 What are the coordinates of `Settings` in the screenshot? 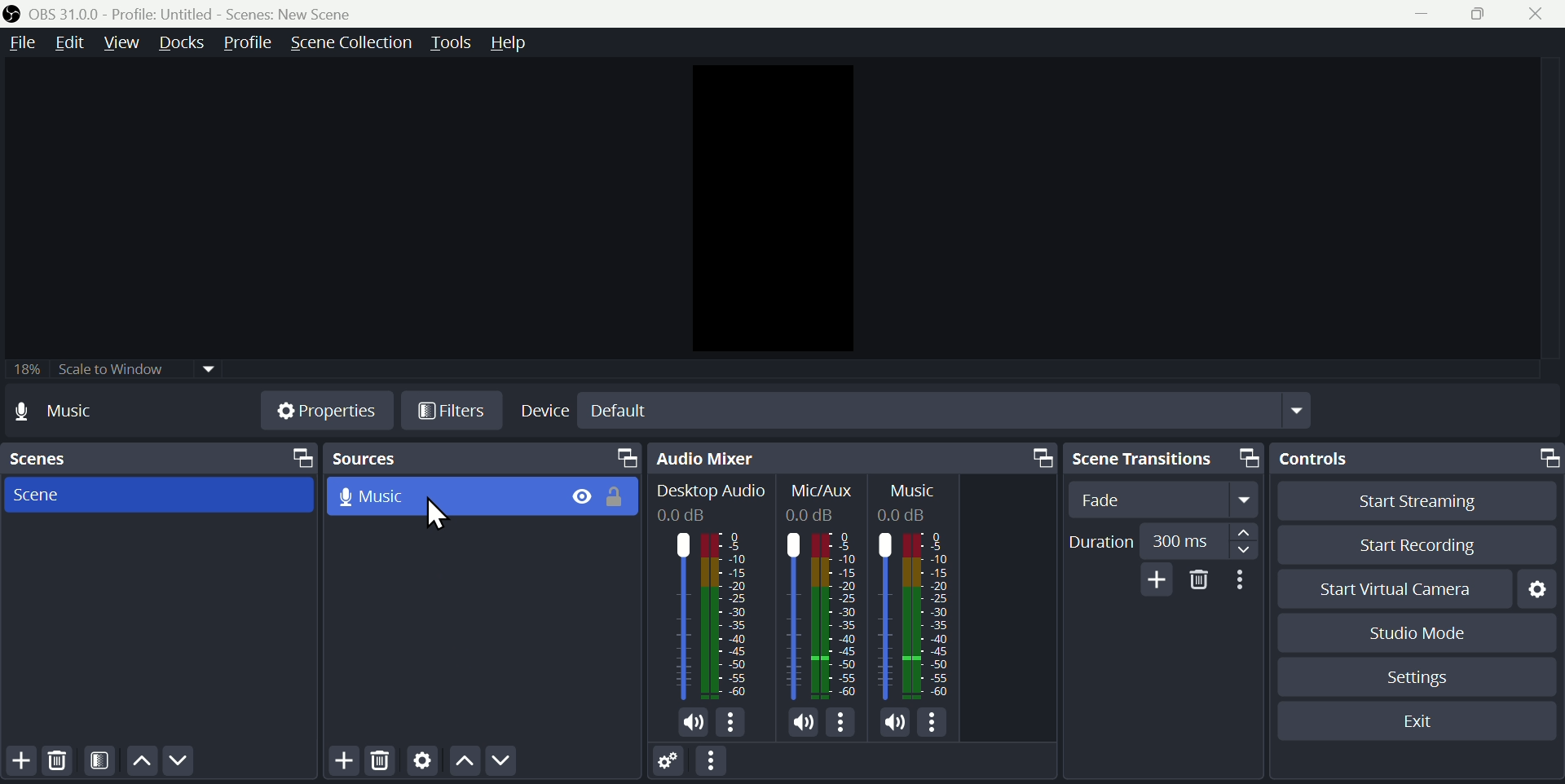 It's located at (1537, 592).